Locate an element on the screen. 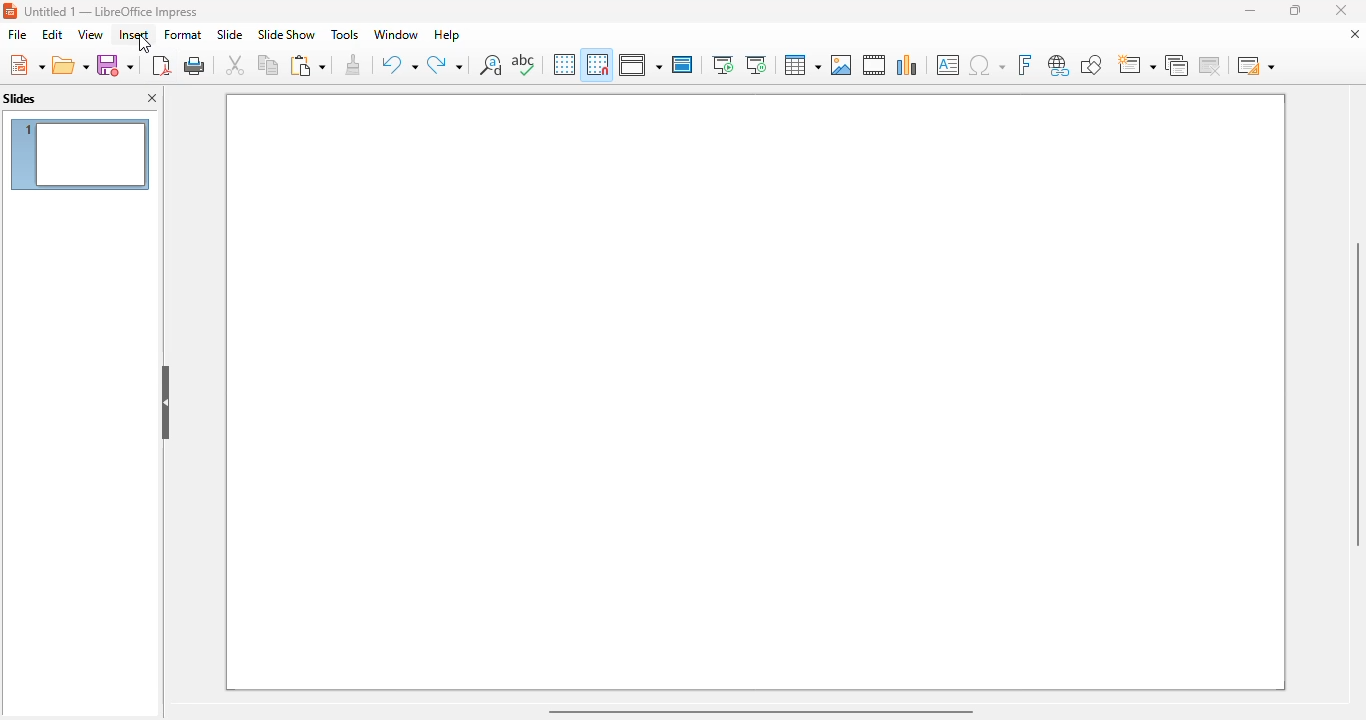 The height and width of the screenshot is (720, 1366). start from first slide is located at coordinates (722, 65).